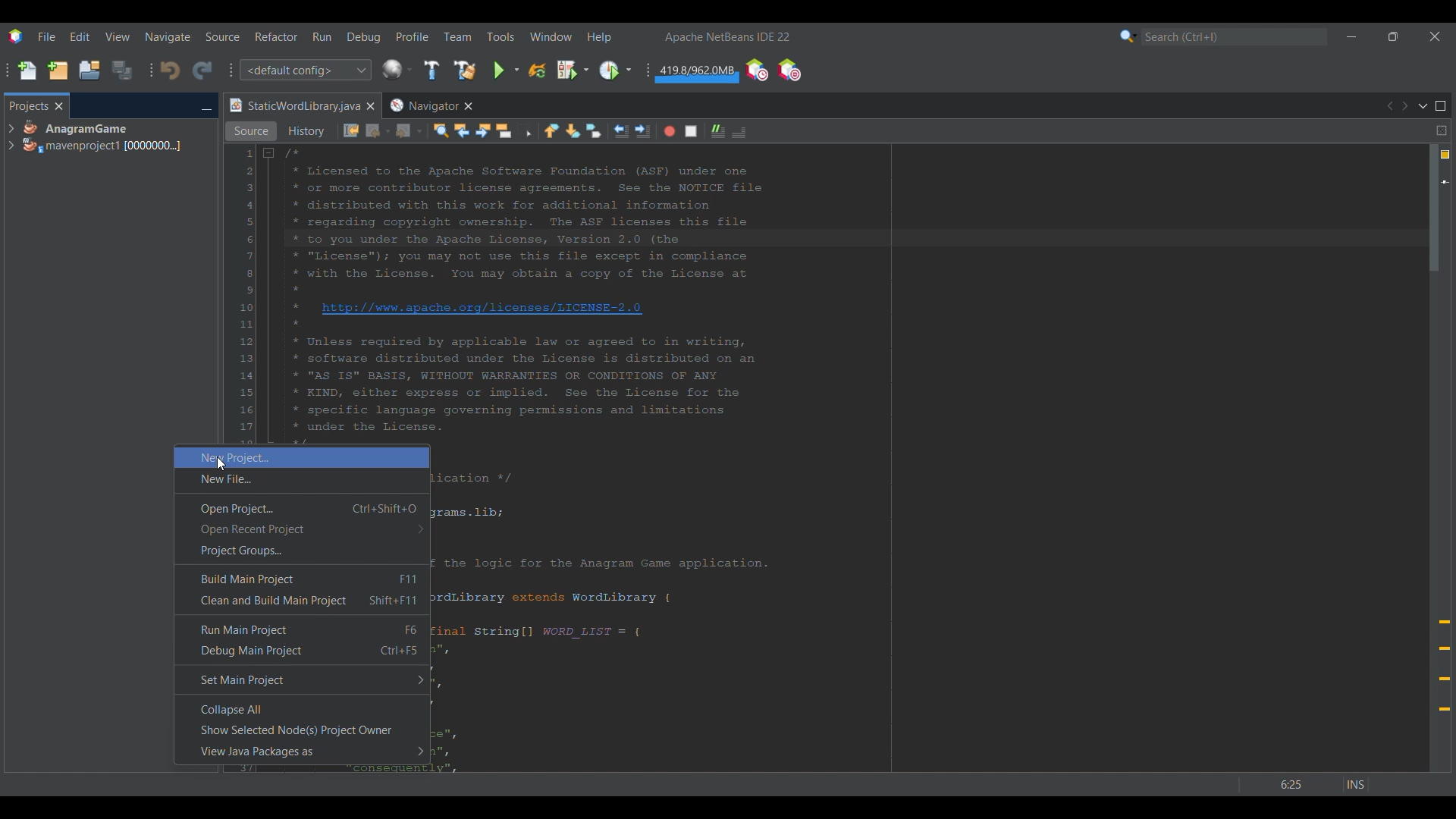 This screenshot has height=819, width=1456. Describe the element at coordinates (670, 131) in the screenshot. I see `Start macro recording` at that location.